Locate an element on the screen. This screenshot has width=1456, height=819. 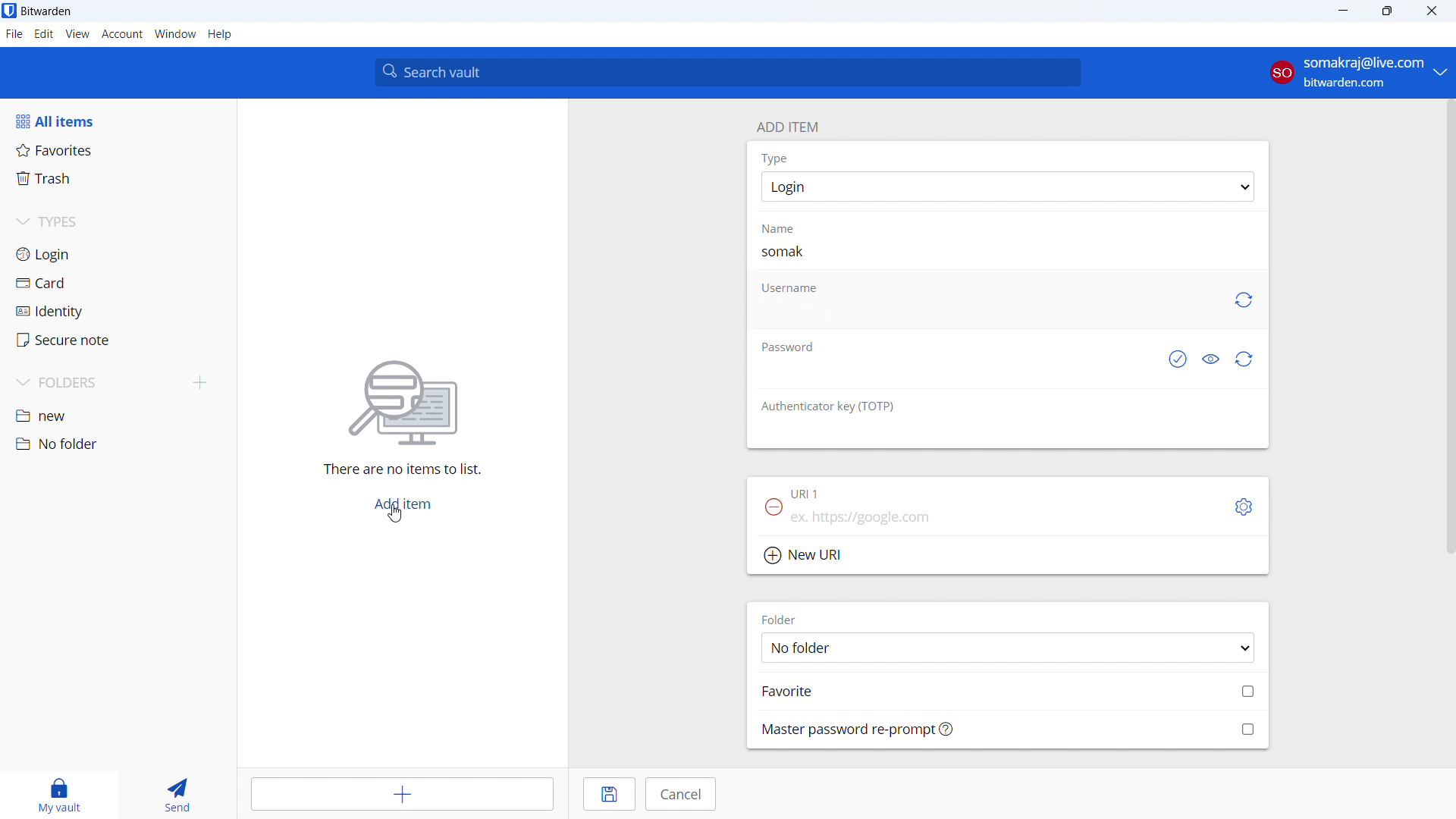
there are no items to list  is located at coordinates (397, 471).